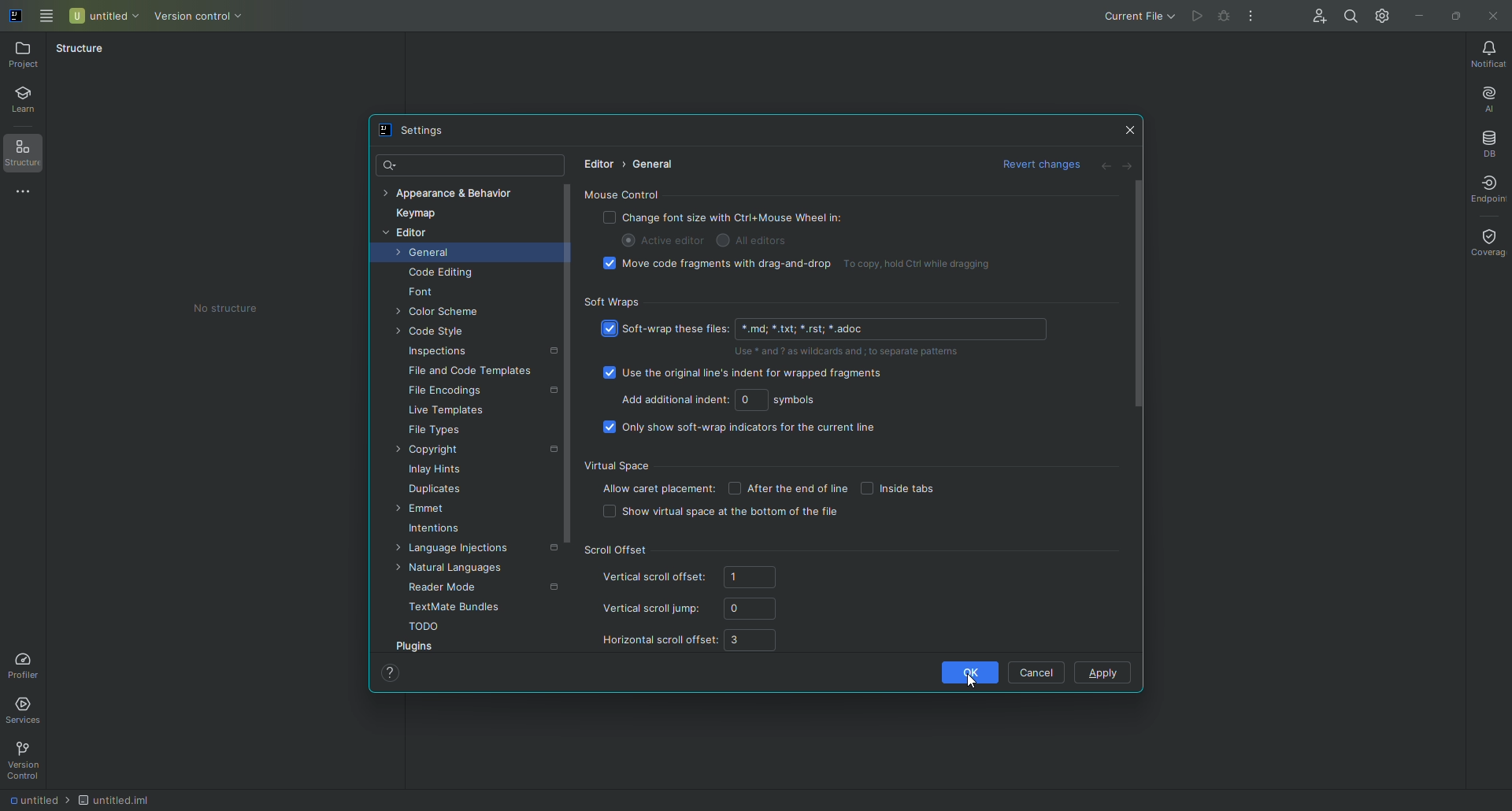 The image size is (1512, 811). I want to click on Editor, so click(405, 235).